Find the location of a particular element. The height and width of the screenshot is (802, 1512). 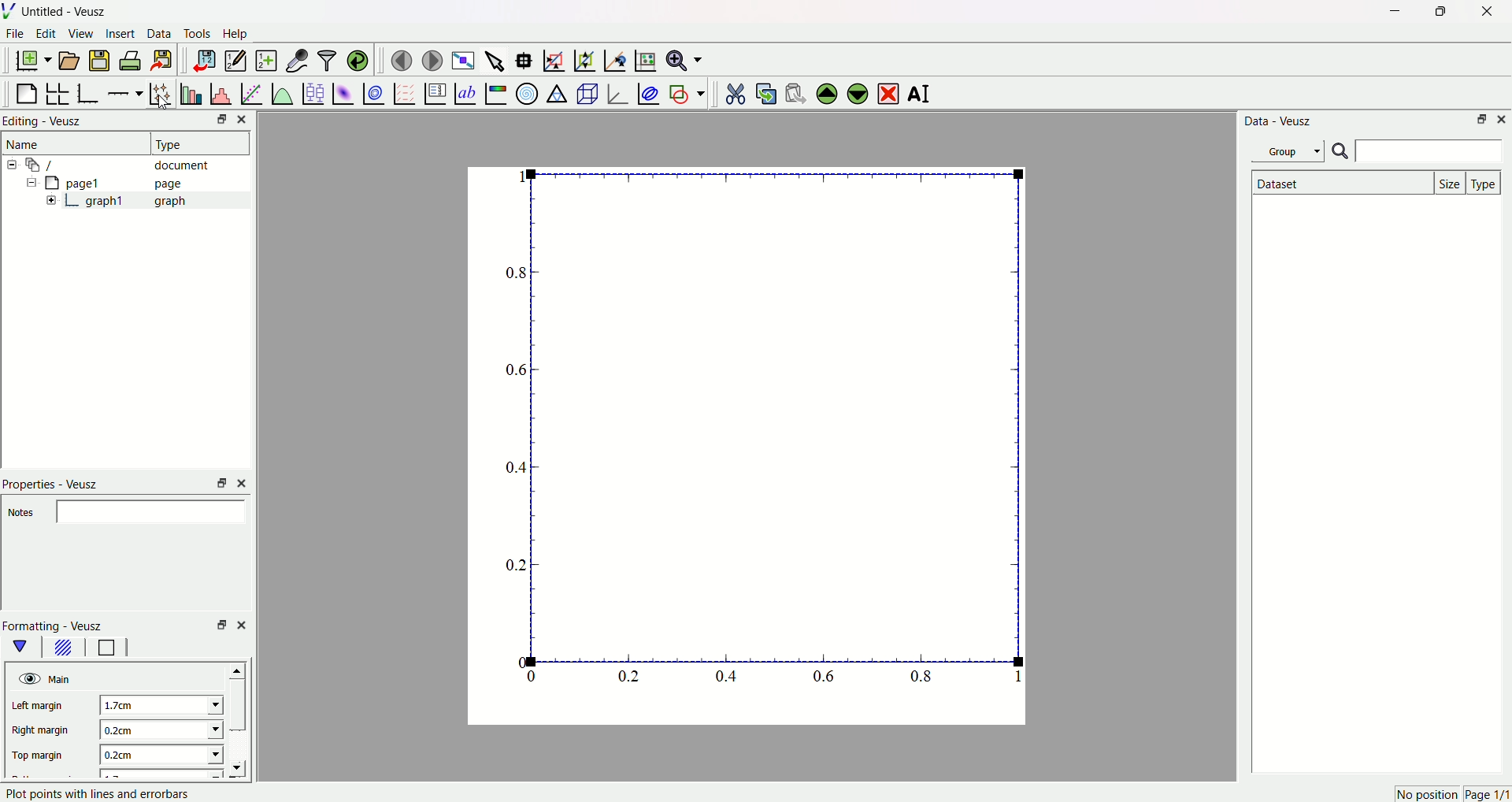

Notes. is located at coordinates (22, 514).